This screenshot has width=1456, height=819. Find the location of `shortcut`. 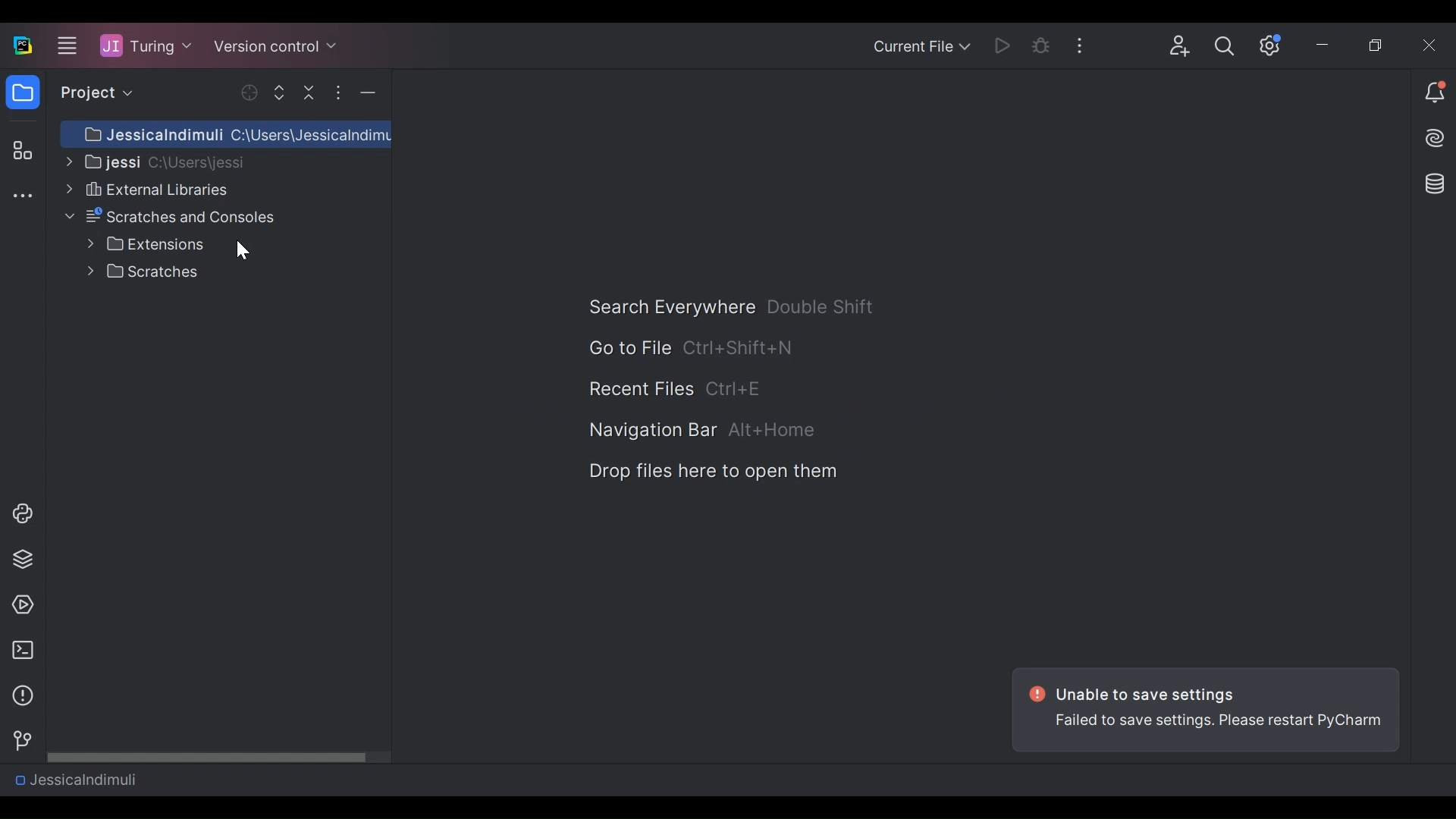

shortcut is located at coordinates (737, 391).